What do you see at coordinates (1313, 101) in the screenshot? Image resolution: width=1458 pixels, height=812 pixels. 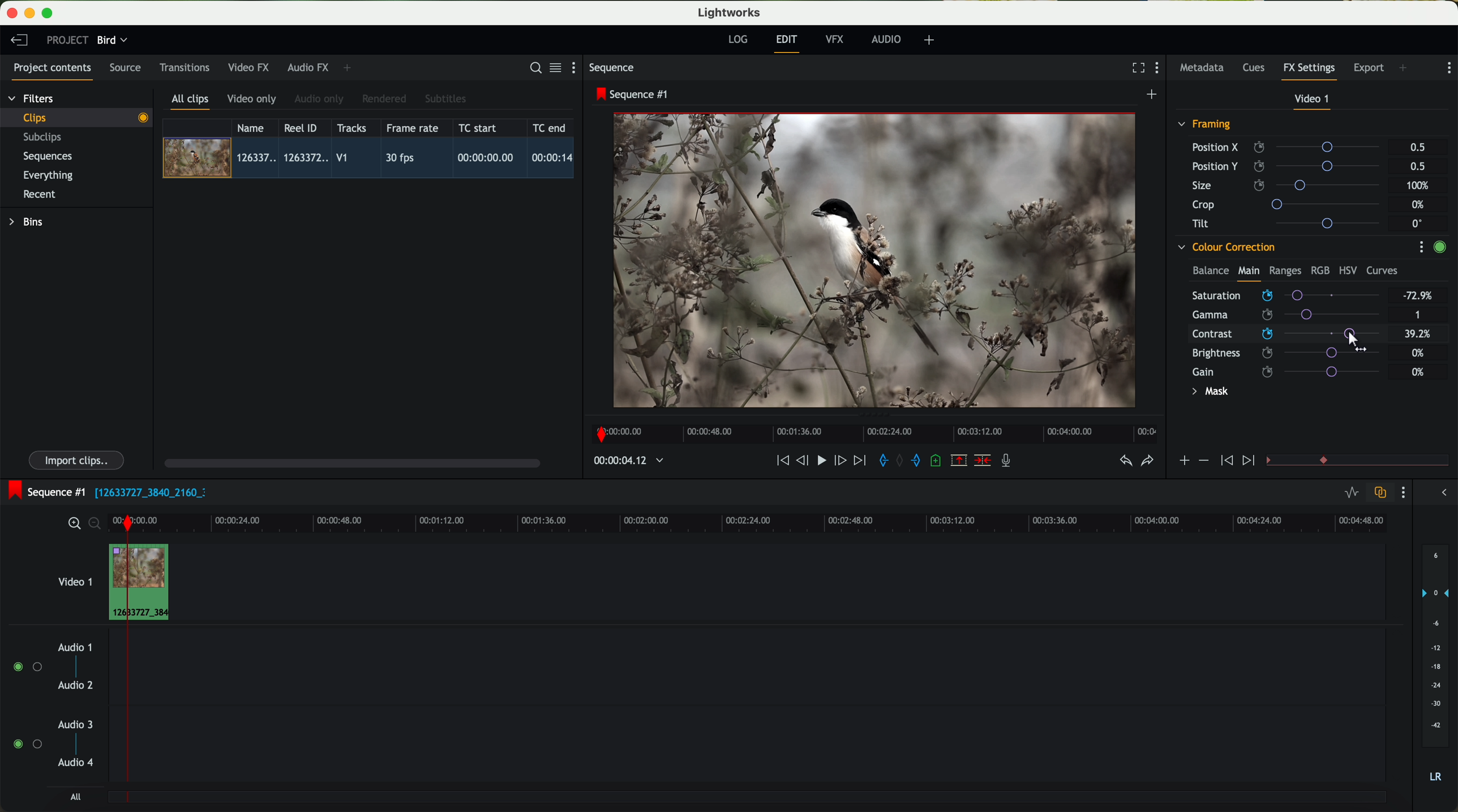 I see `video 1` at bounding box center [1313, 101].